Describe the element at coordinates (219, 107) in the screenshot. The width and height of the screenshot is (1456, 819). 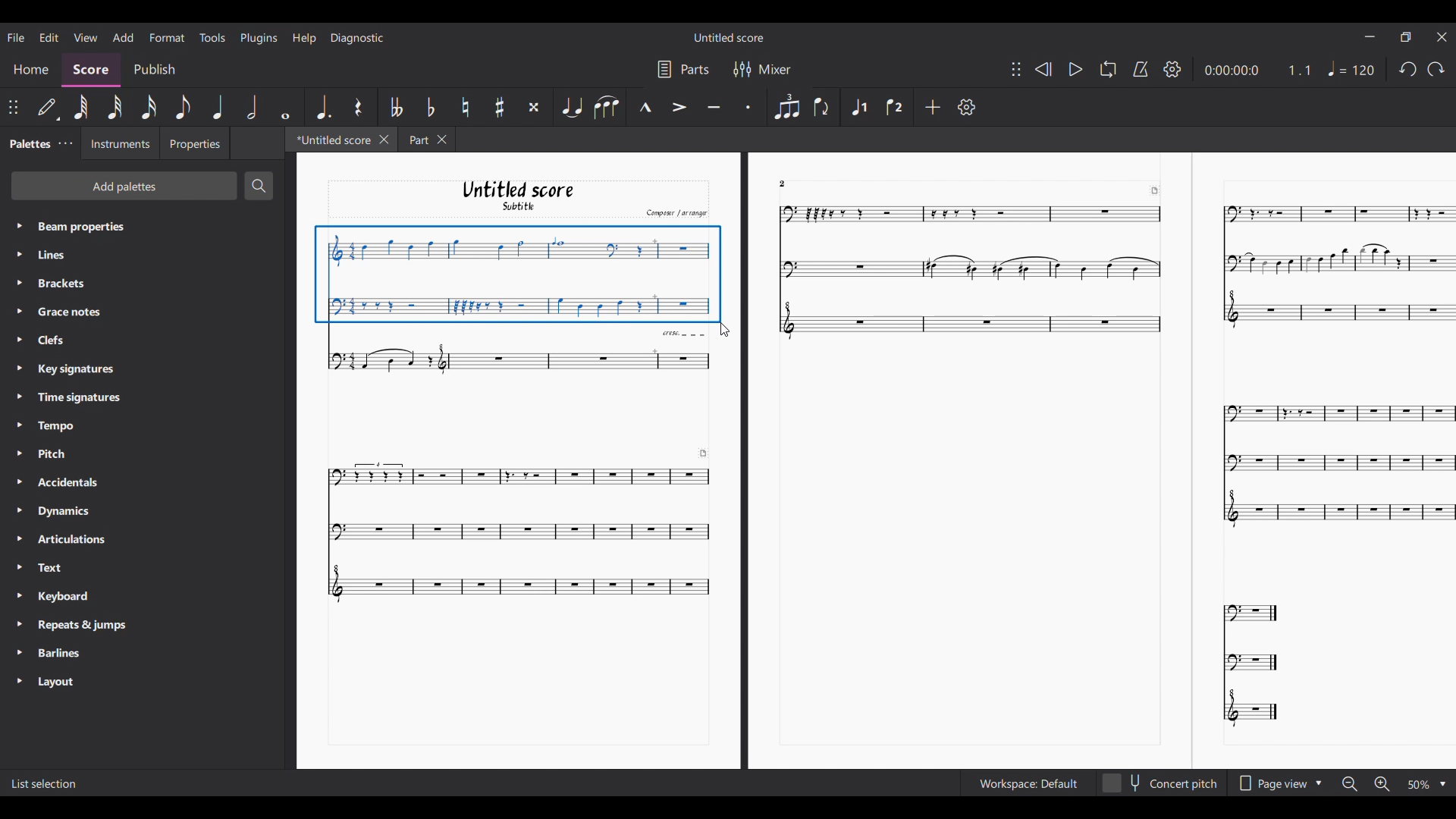
I see `Quarter note` at that location.